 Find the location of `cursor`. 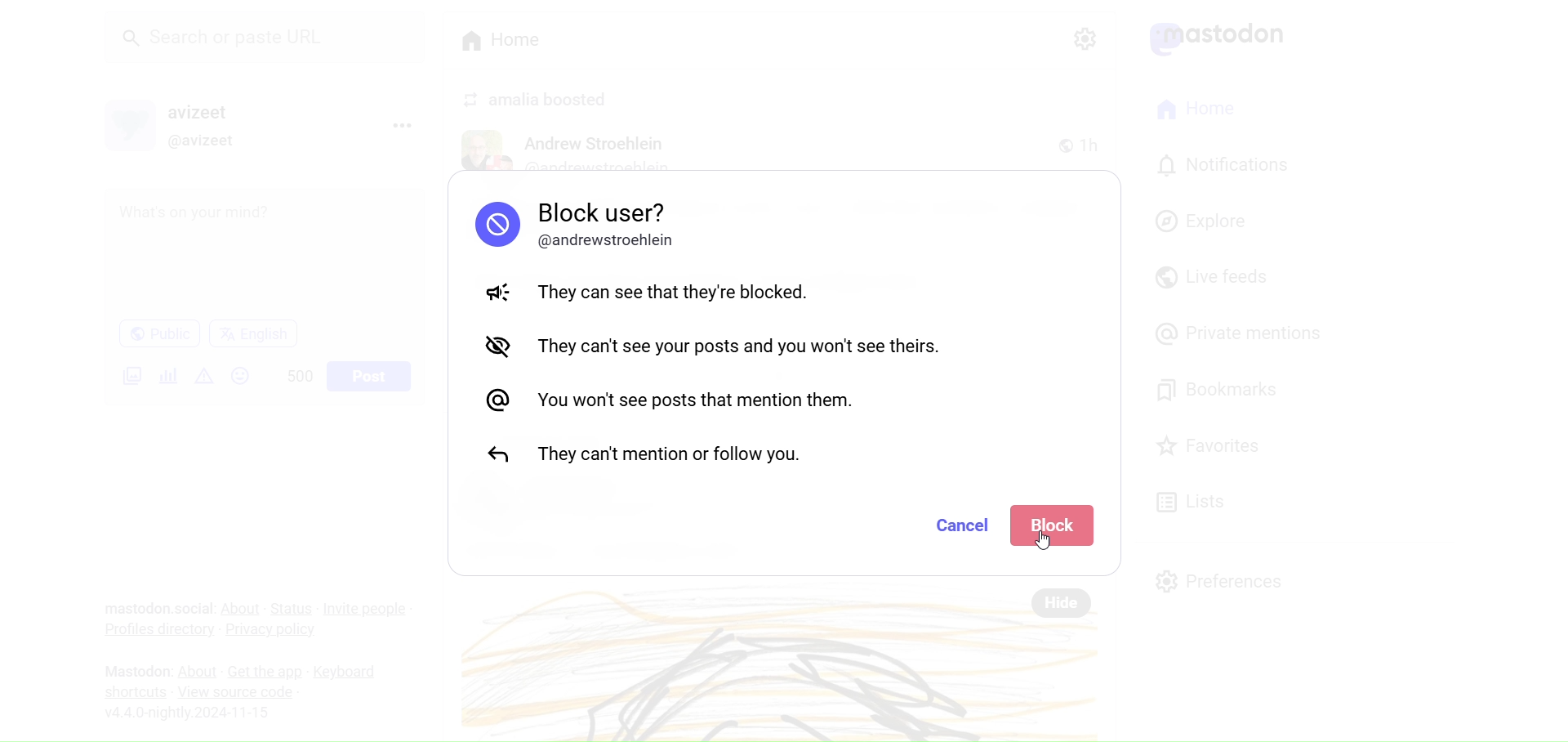

cursor is located at coordinates (1047, 548).